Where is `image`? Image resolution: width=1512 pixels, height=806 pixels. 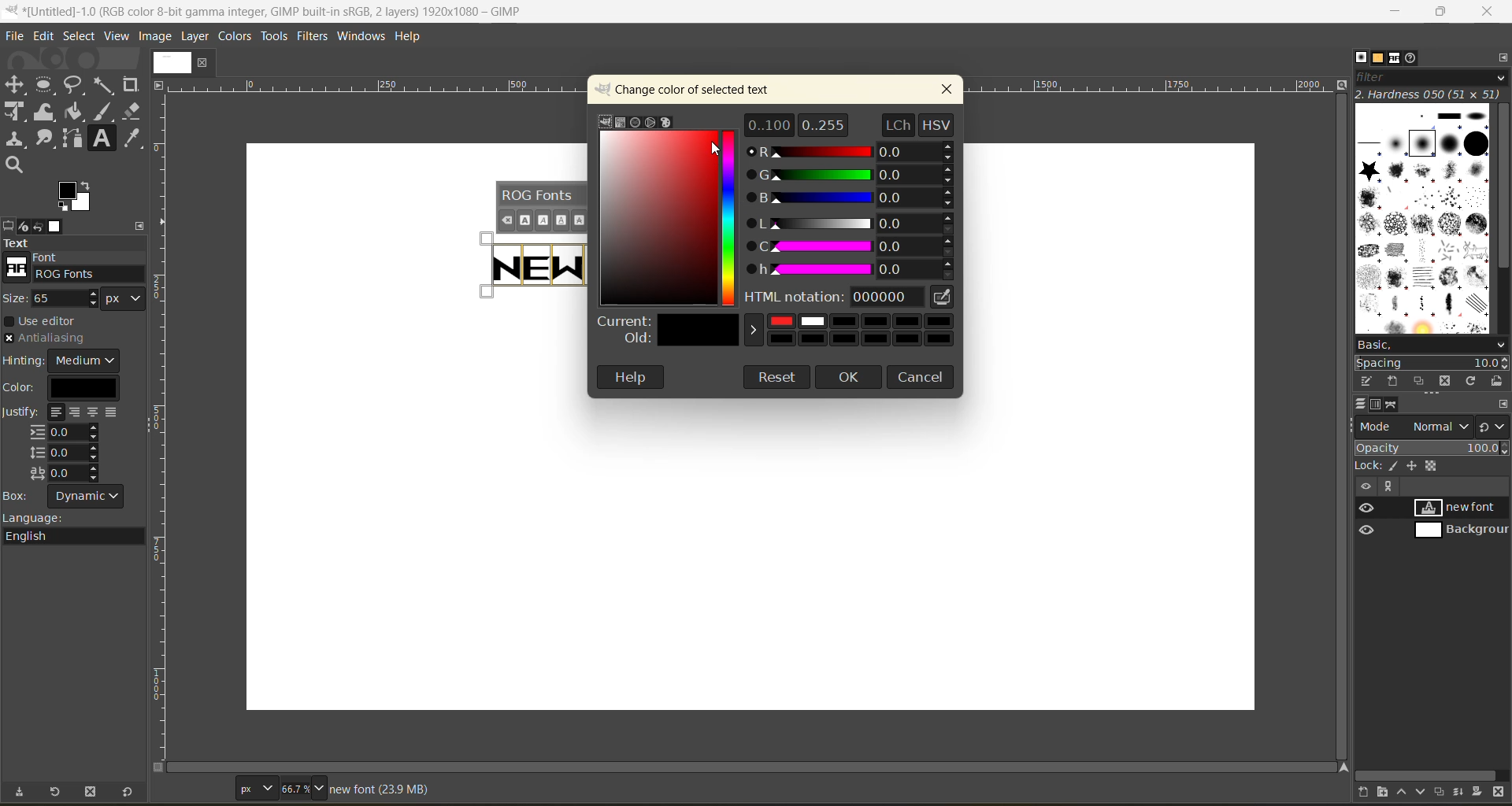
image is located at coordinates (169, 61).